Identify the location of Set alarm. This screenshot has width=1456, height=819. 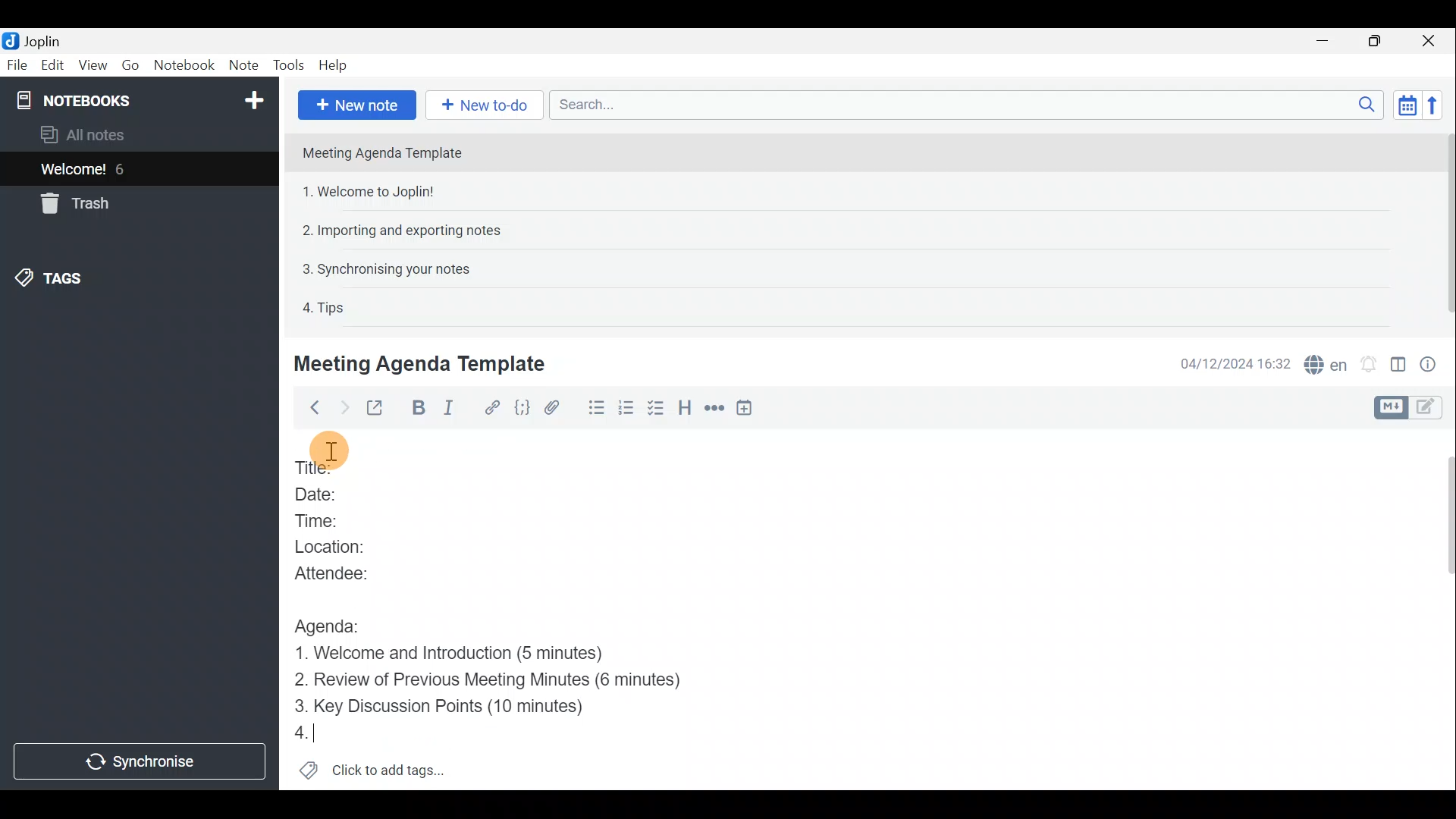
(1370, 364).